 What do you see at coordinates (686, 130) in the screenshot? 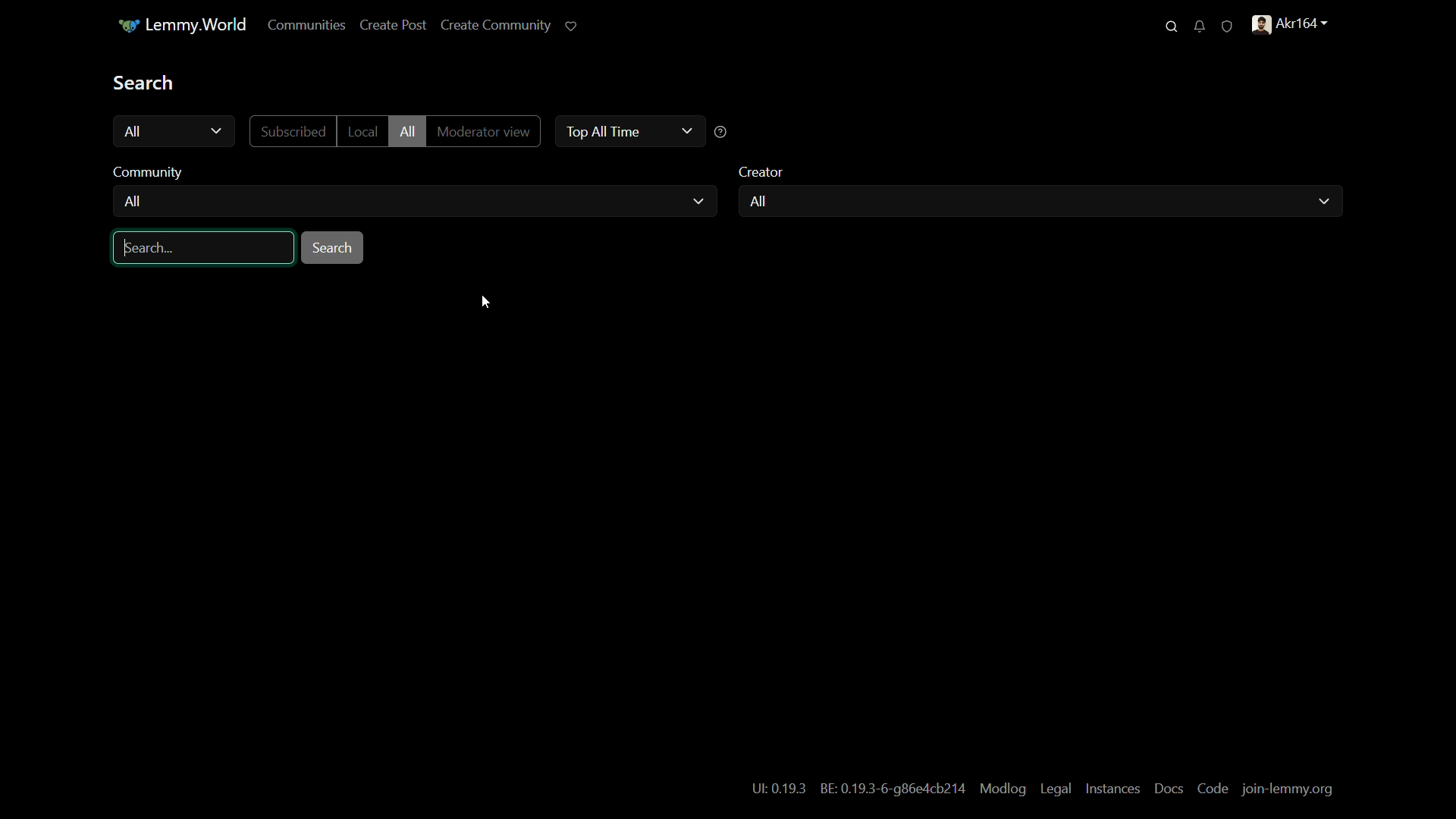
I see `dropdown` at bounding box center [686, 130].